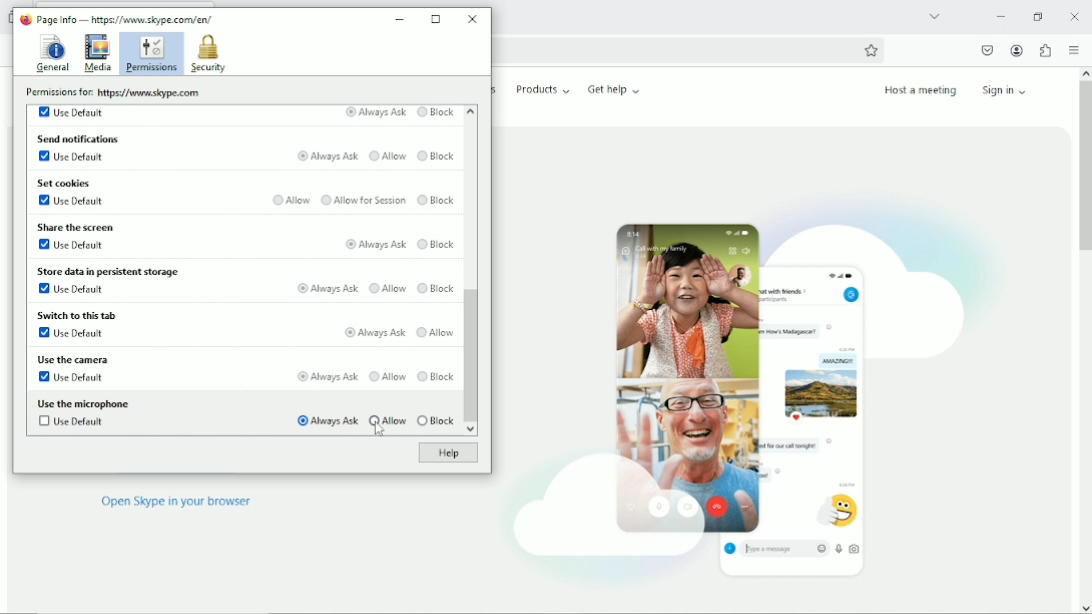 This screenshot has width=1092, height=614. I want to click on Use the microphone, so click(84, 403).